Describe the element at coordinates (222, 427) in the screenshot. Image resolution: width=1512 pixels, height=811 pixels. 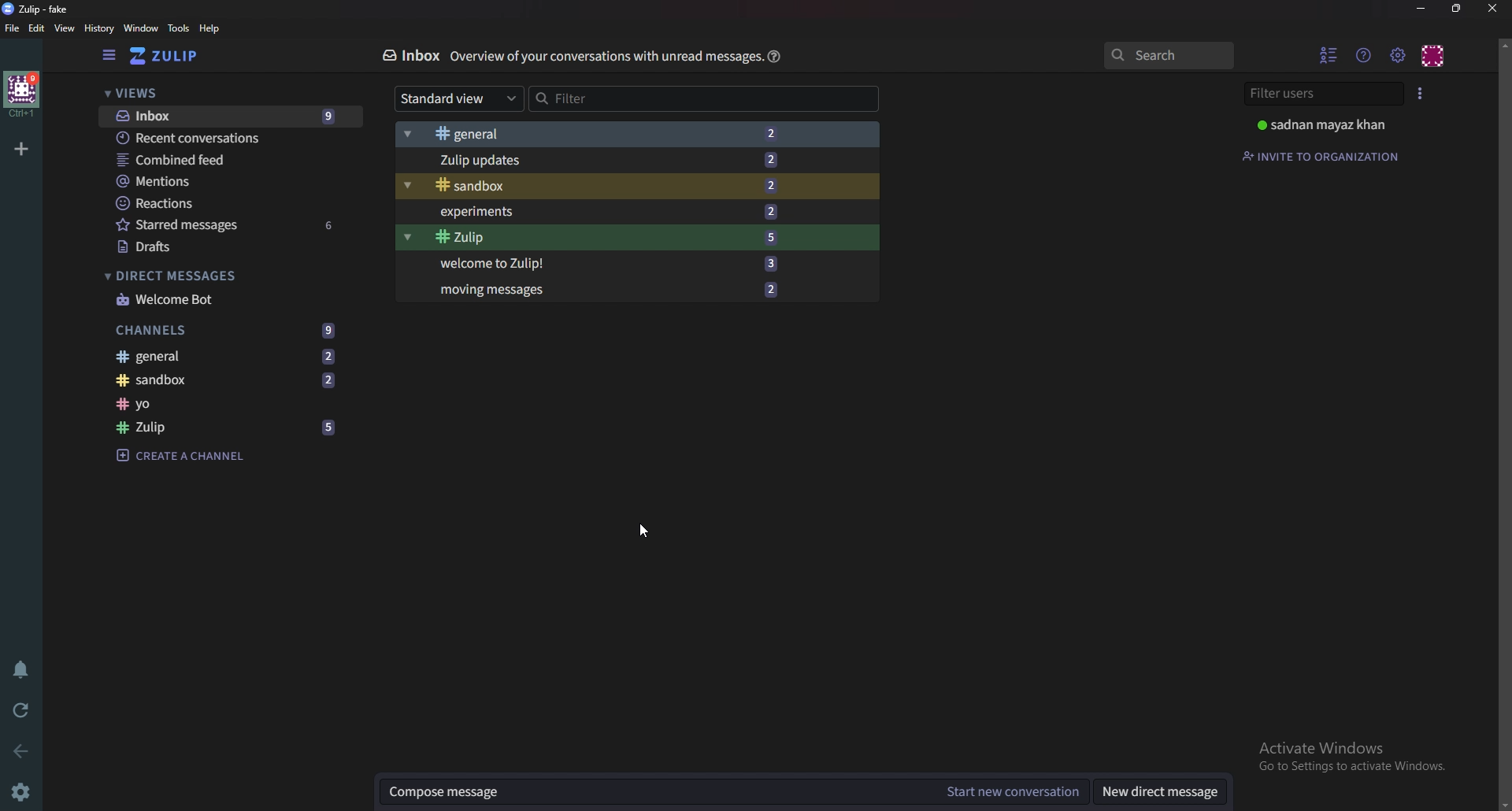
I see `Zulip` at that location.